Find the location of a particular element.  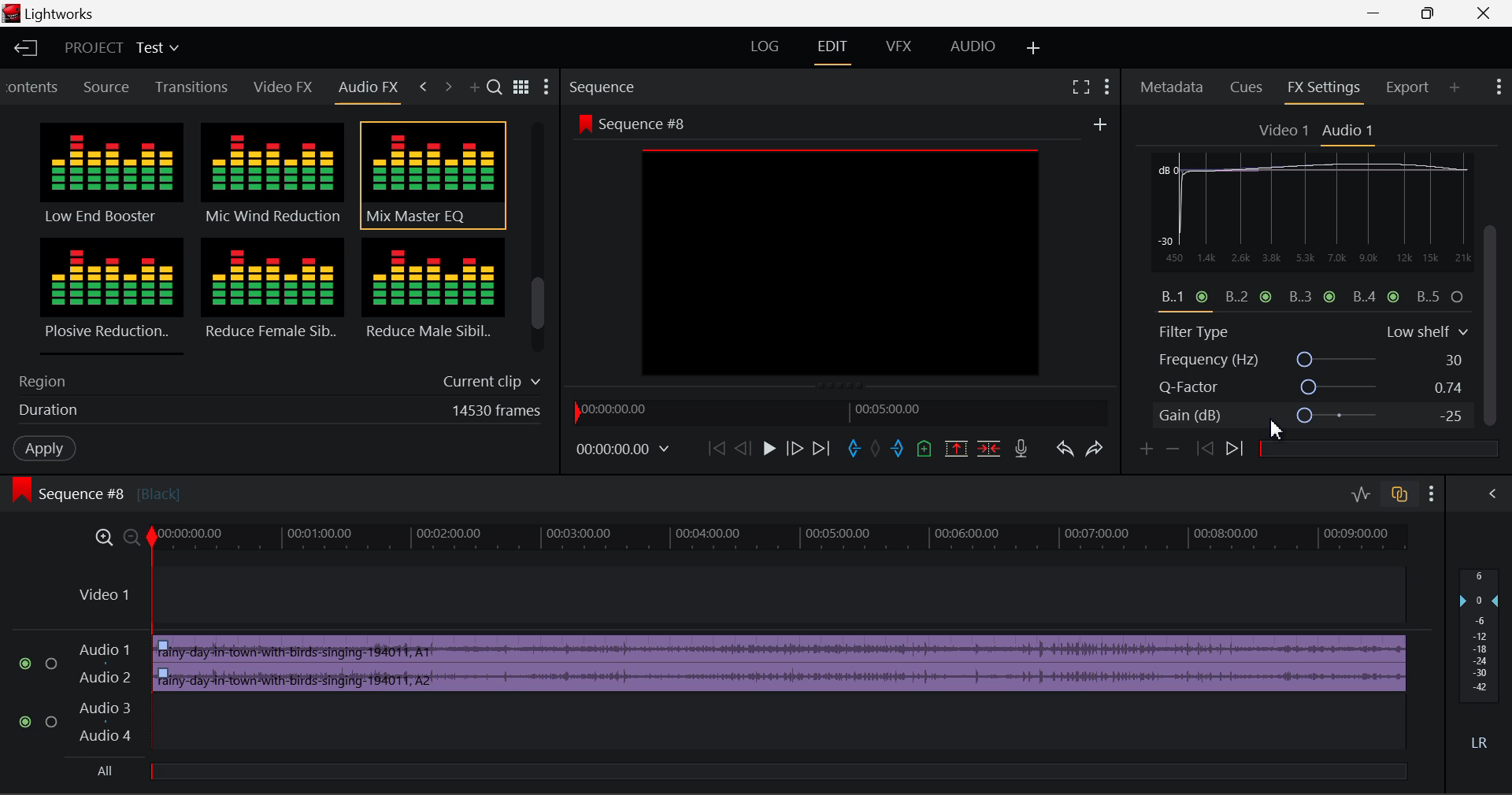

Delete/Cut is located at coordinates (991, 449).